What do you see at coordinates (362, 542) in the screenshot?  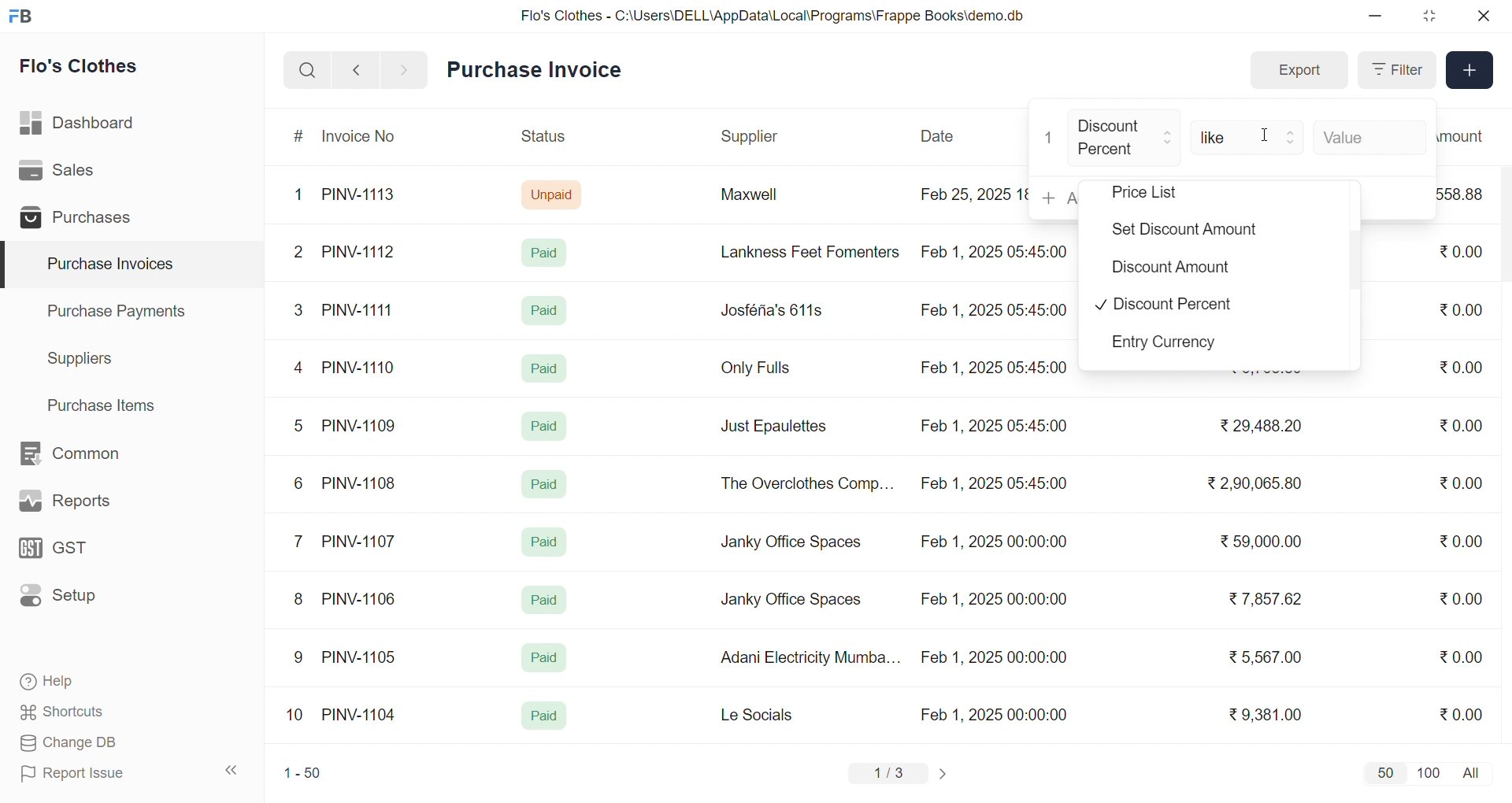 I see `PINV-1107` at bounding box center [362, 542].